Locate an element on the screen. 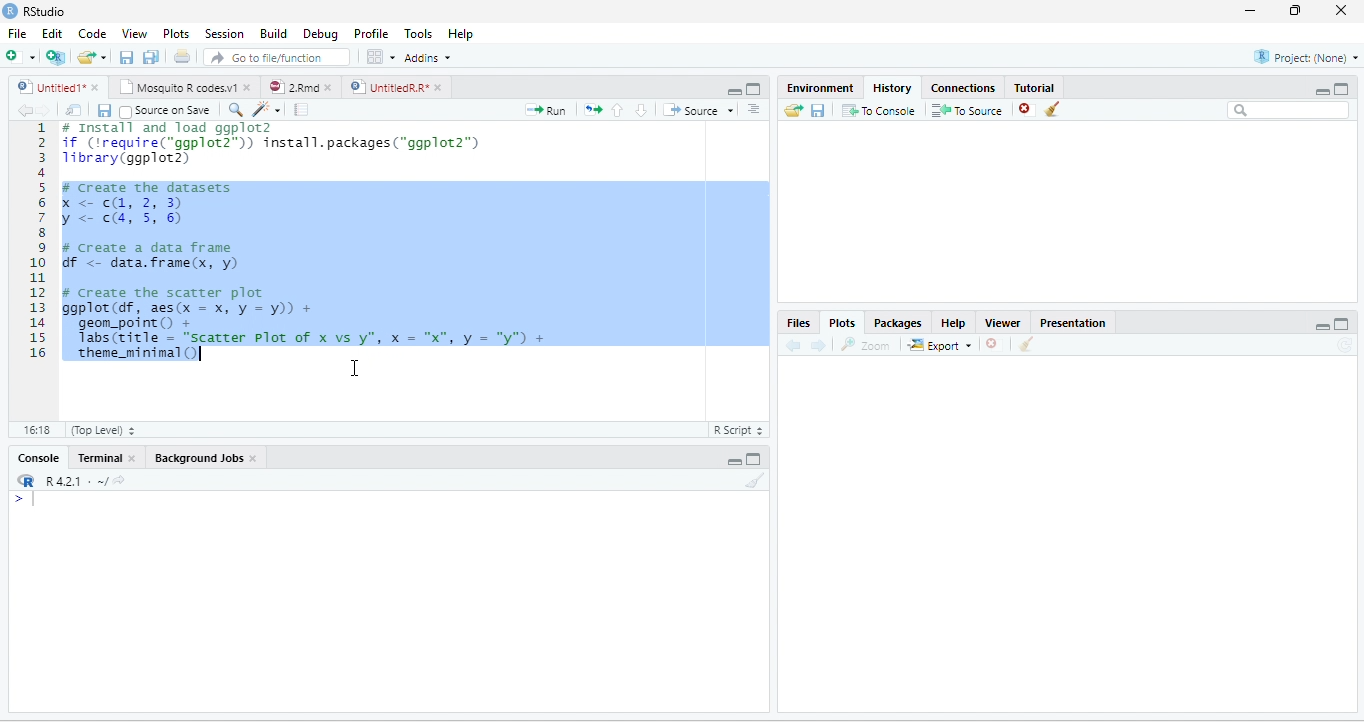 Image resolution: width=1364 pixels, height=722 pixels. Presentation is located at coordinates (1073, 322).